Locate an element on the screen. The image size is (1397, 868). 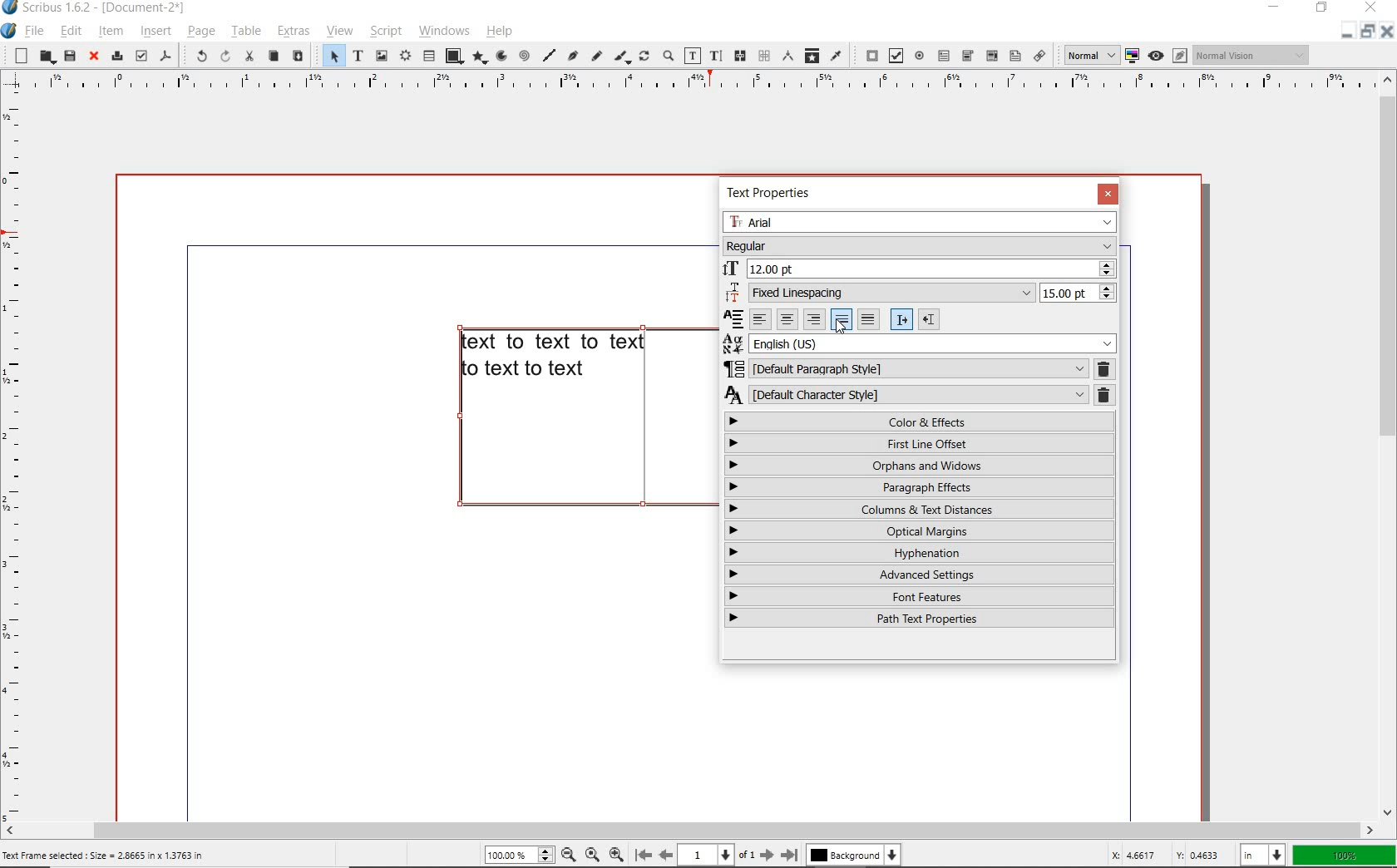
pdf combo box is located at coordinates (968, 56).